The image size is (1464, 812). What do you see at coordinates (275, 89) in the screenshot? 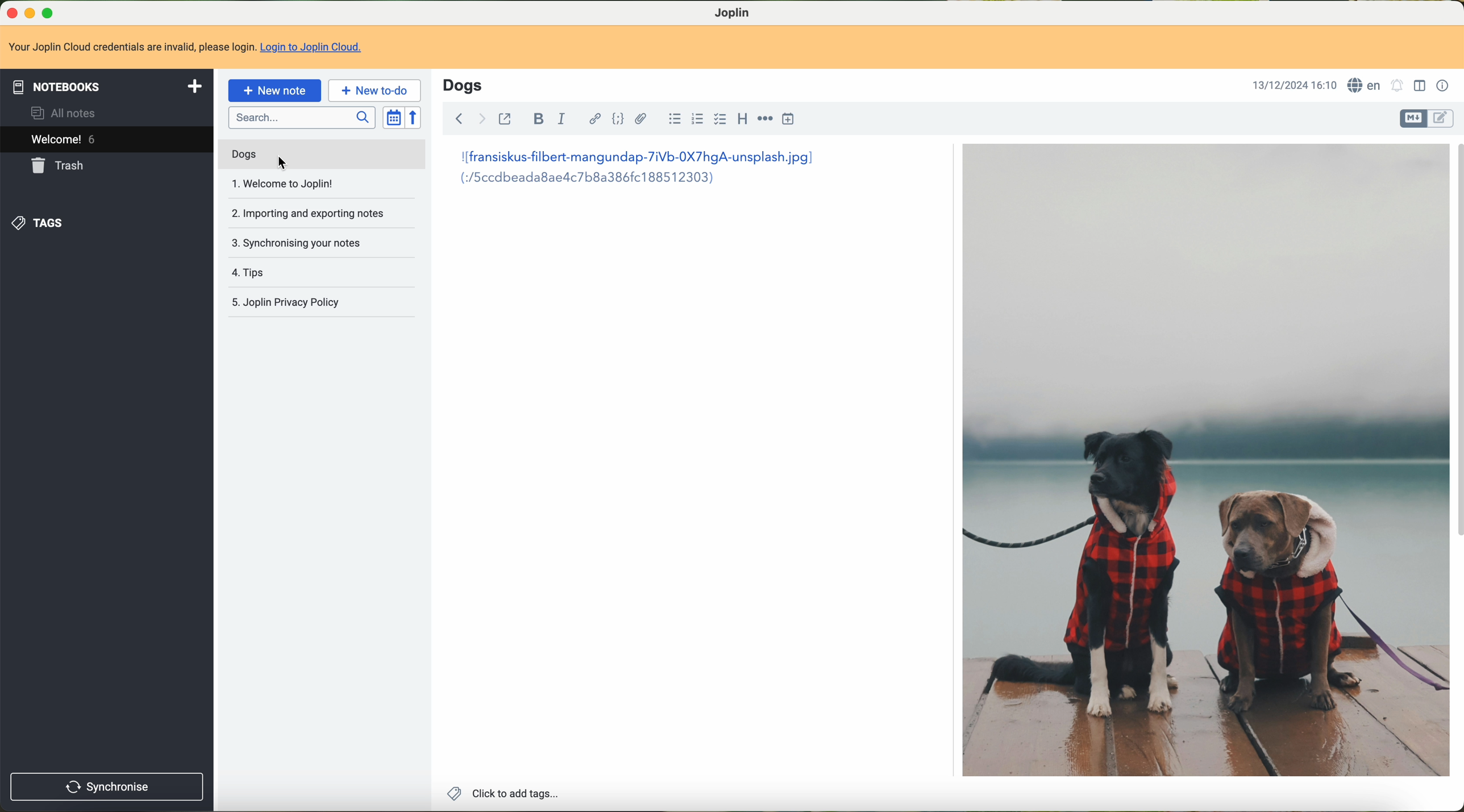
I see `new note` at bounding box center [275, 89].